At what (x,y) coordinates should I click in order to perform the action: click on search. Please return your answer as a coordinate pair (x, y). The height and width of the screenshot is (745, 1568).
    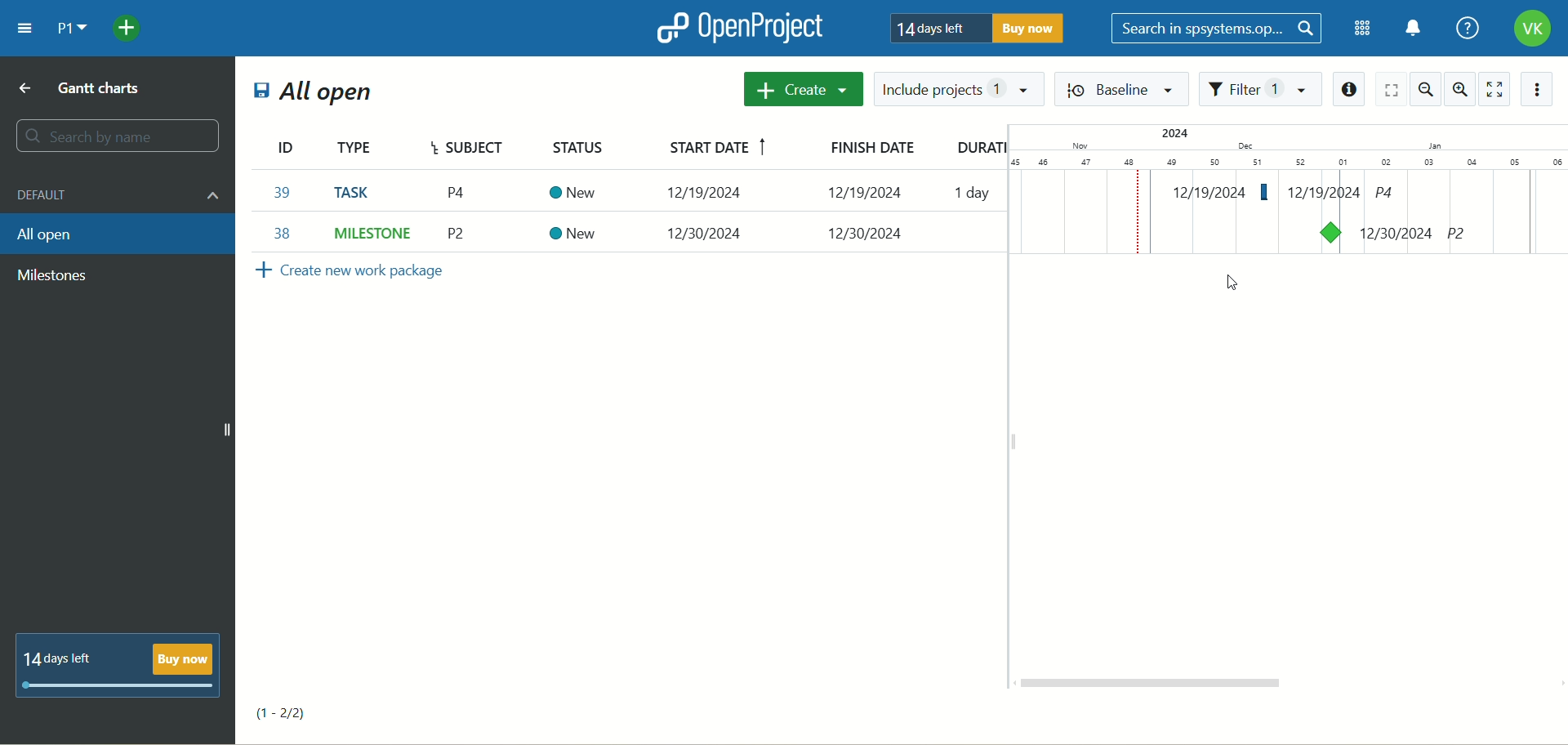
    Looking at the image, I should click on (120, 136).